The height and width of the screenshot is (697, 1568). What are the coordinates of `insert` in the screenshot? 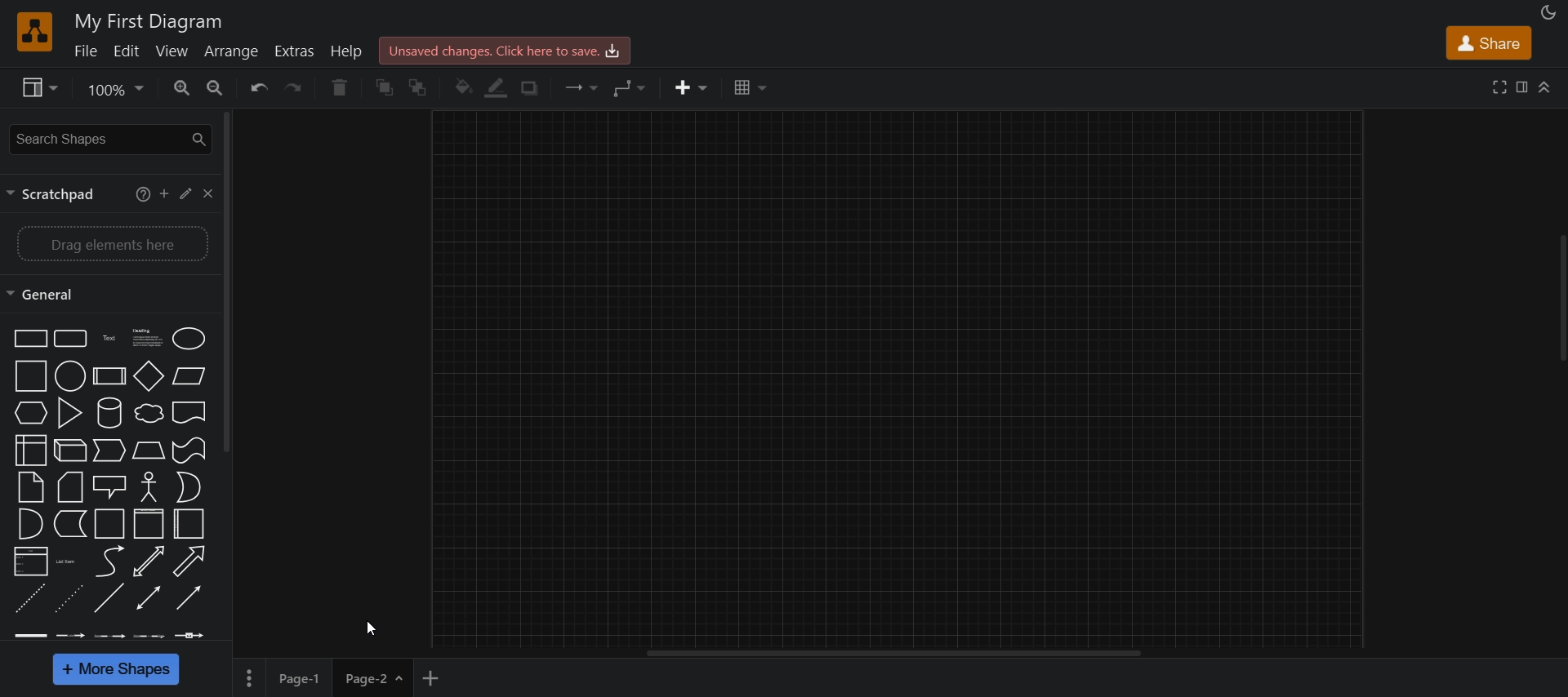 It's located at (694, 91).